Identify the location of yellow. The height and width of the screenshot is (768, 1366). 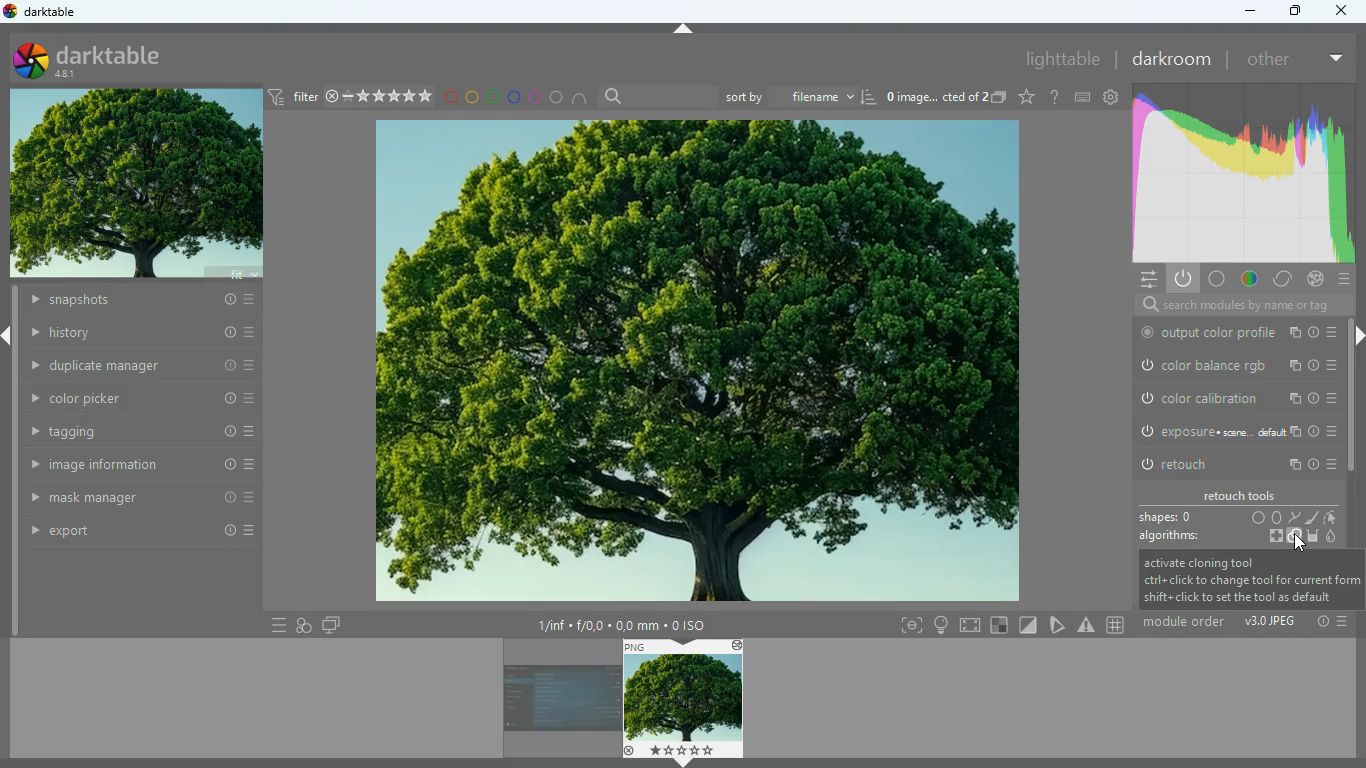
(471, 98).